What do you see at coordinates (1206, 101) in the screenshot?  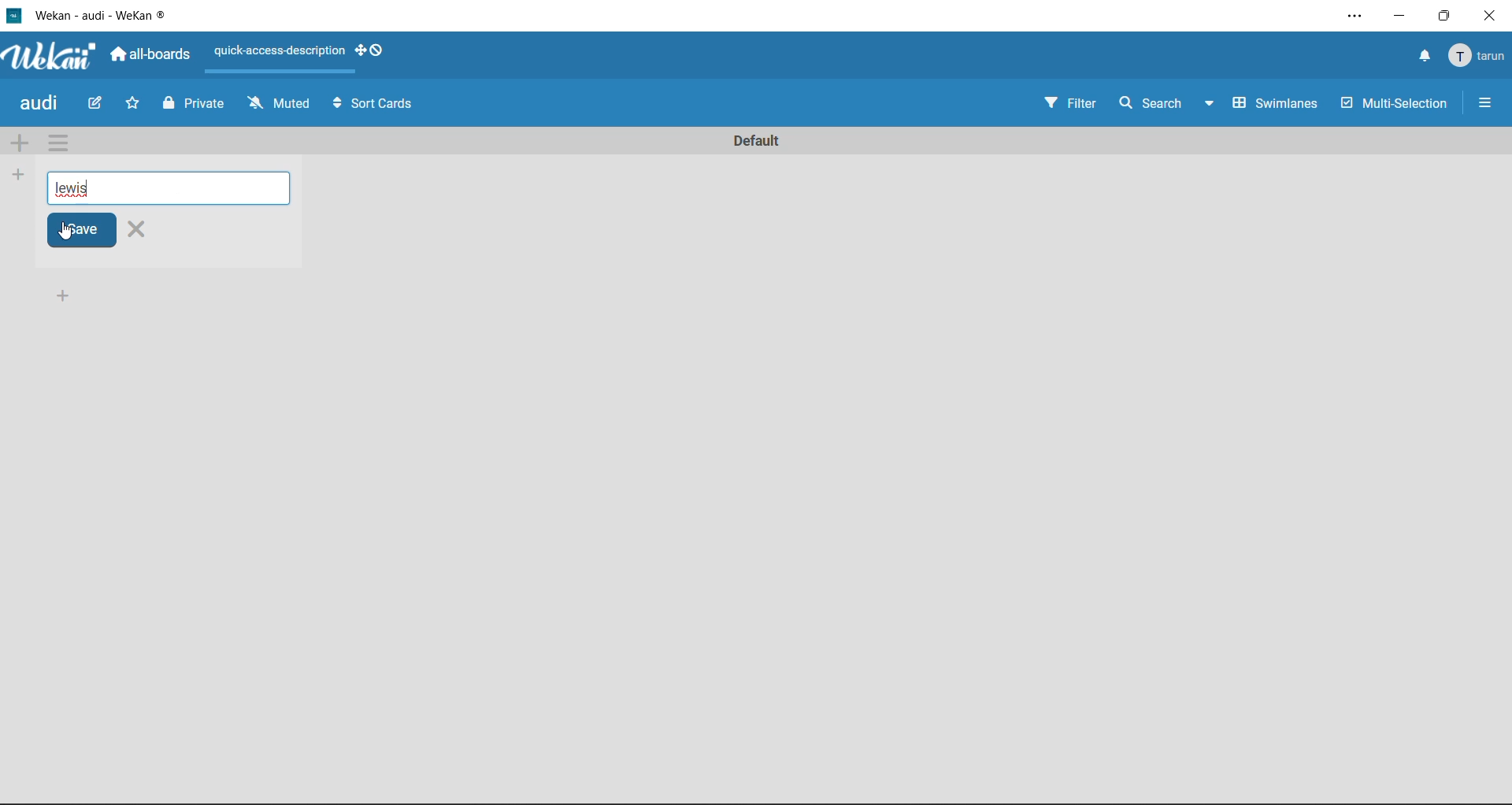 I see `Down-arrow` at bounding box center [1206, 101].